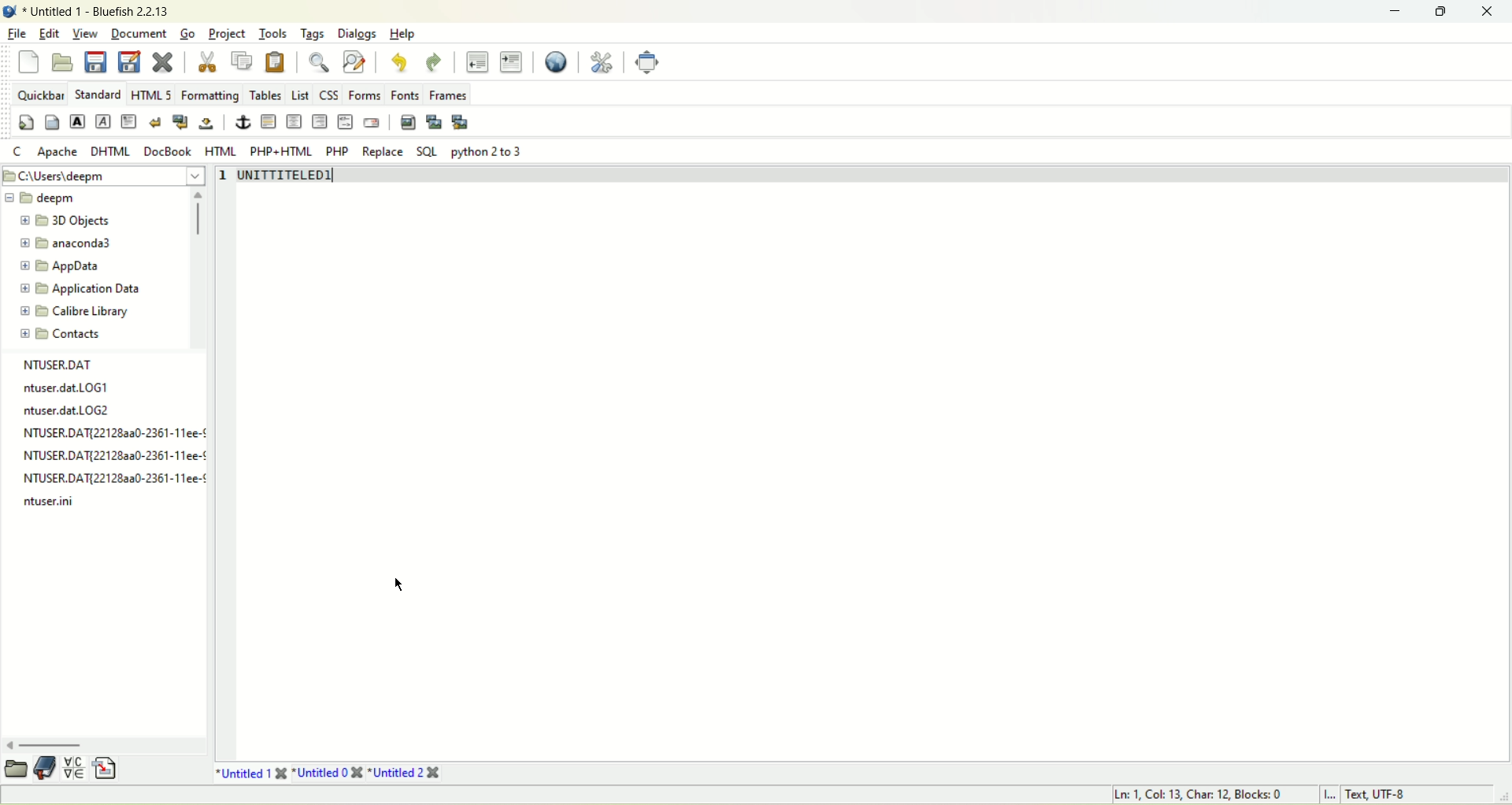  What do you see at coordinates (24, 124) in the screenshot?
I see `quickstart` at bounding box center [24, 124].